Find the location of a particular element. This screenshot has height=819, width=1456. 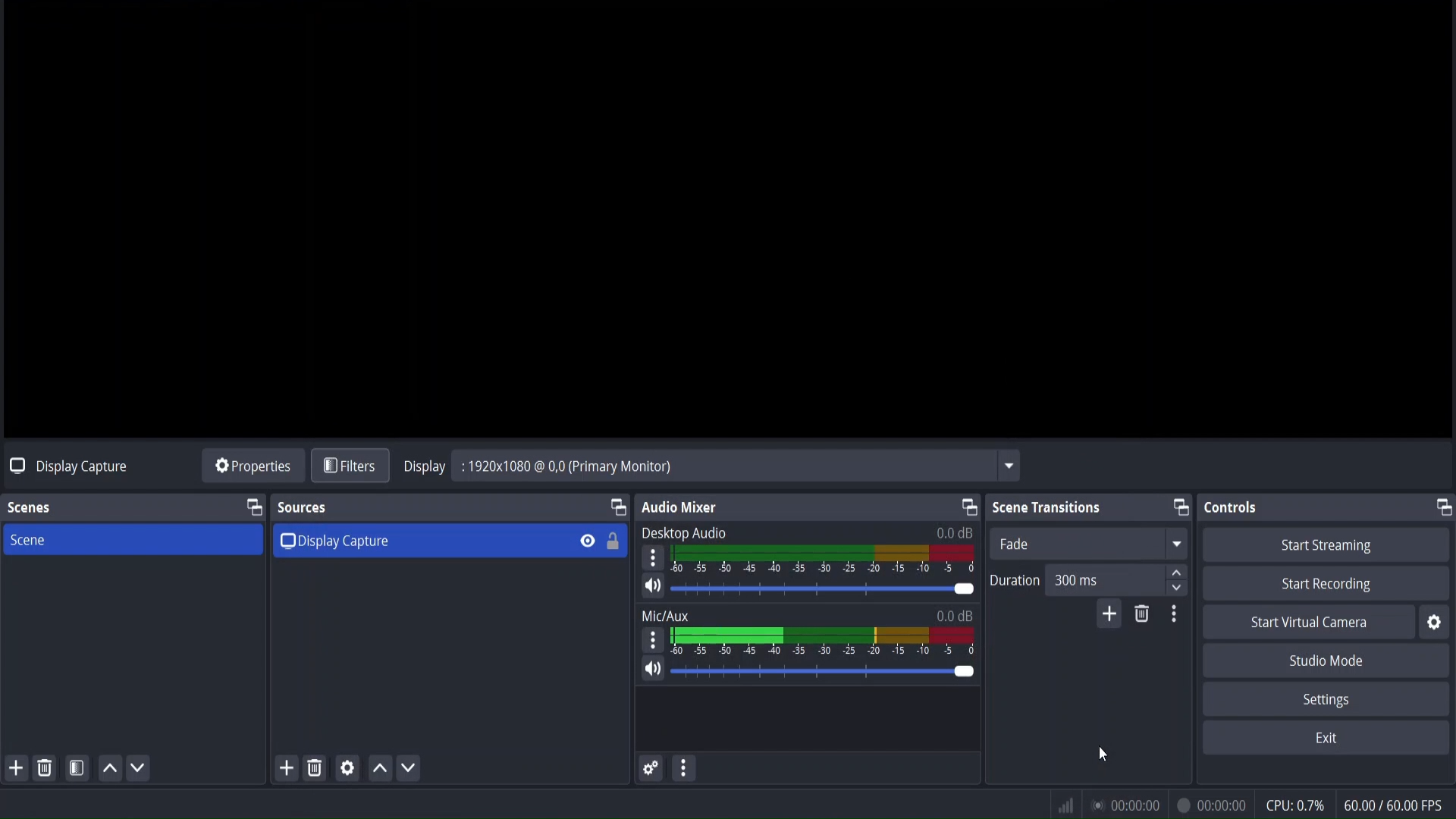

fade is located at coordinates (1016, 544).